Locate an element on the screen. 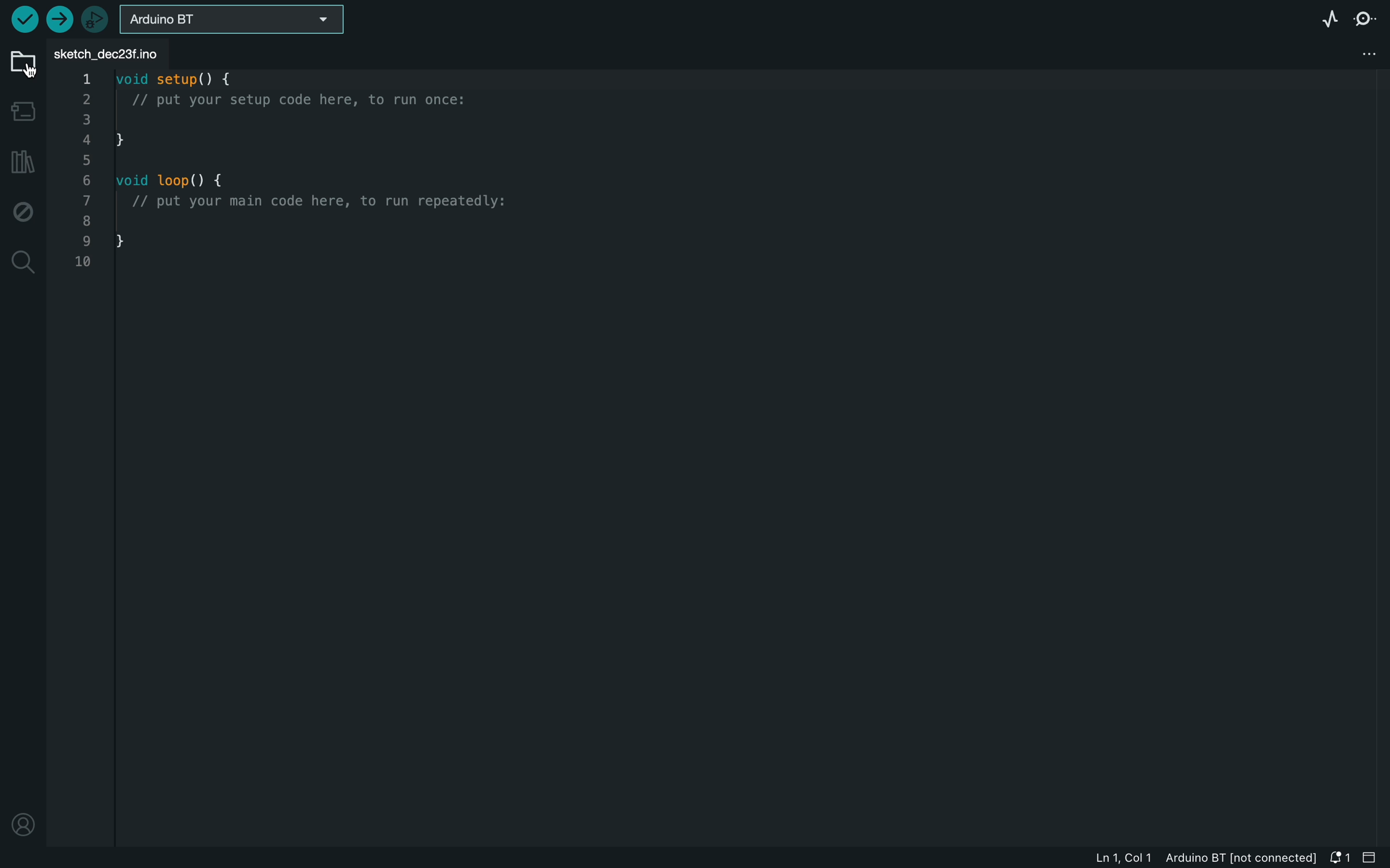  code is located at coordinates (298, 175).